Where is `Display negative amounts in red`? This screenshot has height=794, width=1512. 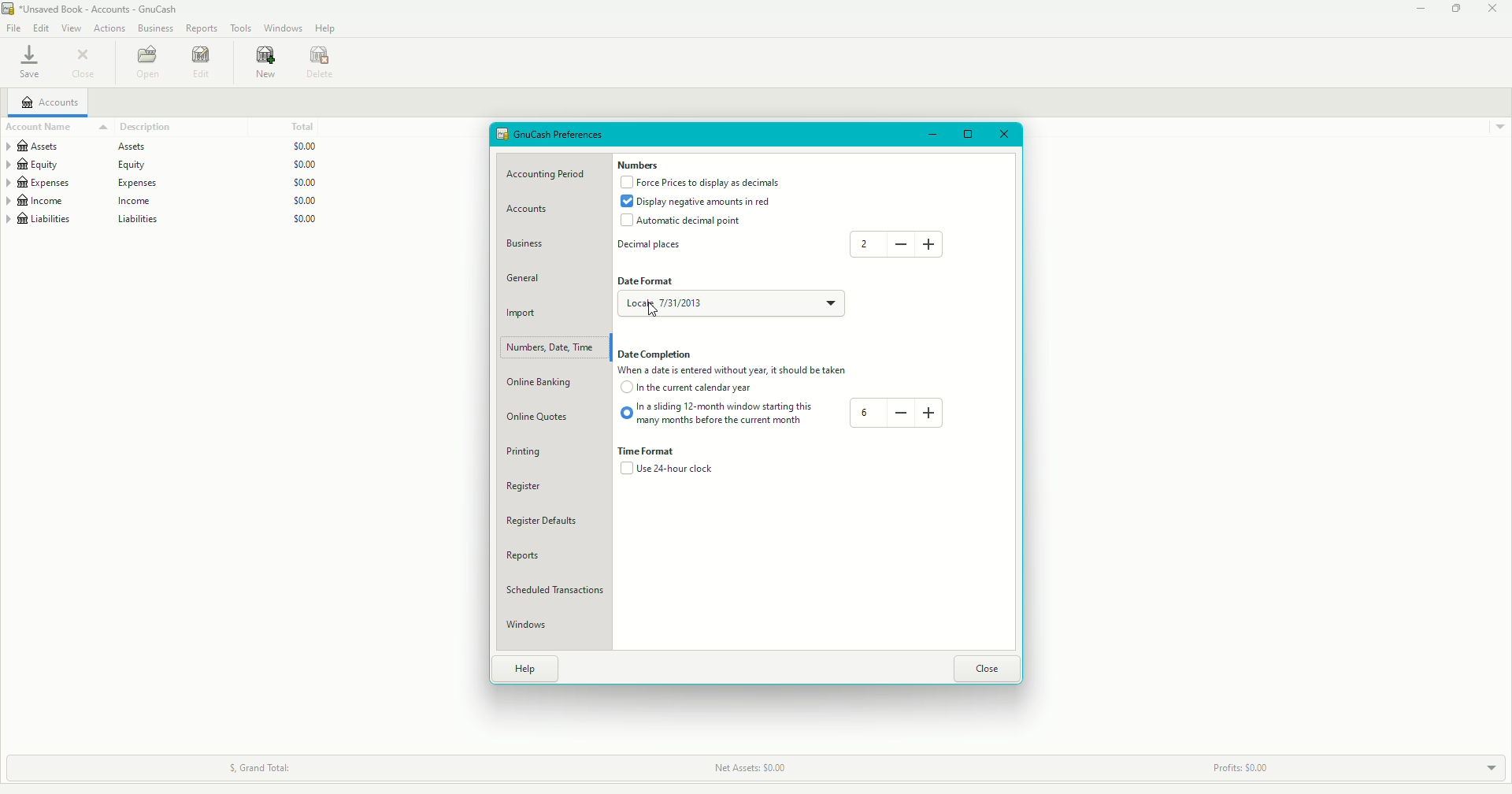
Display negative amounts in red is located at coordinates (701, 202).